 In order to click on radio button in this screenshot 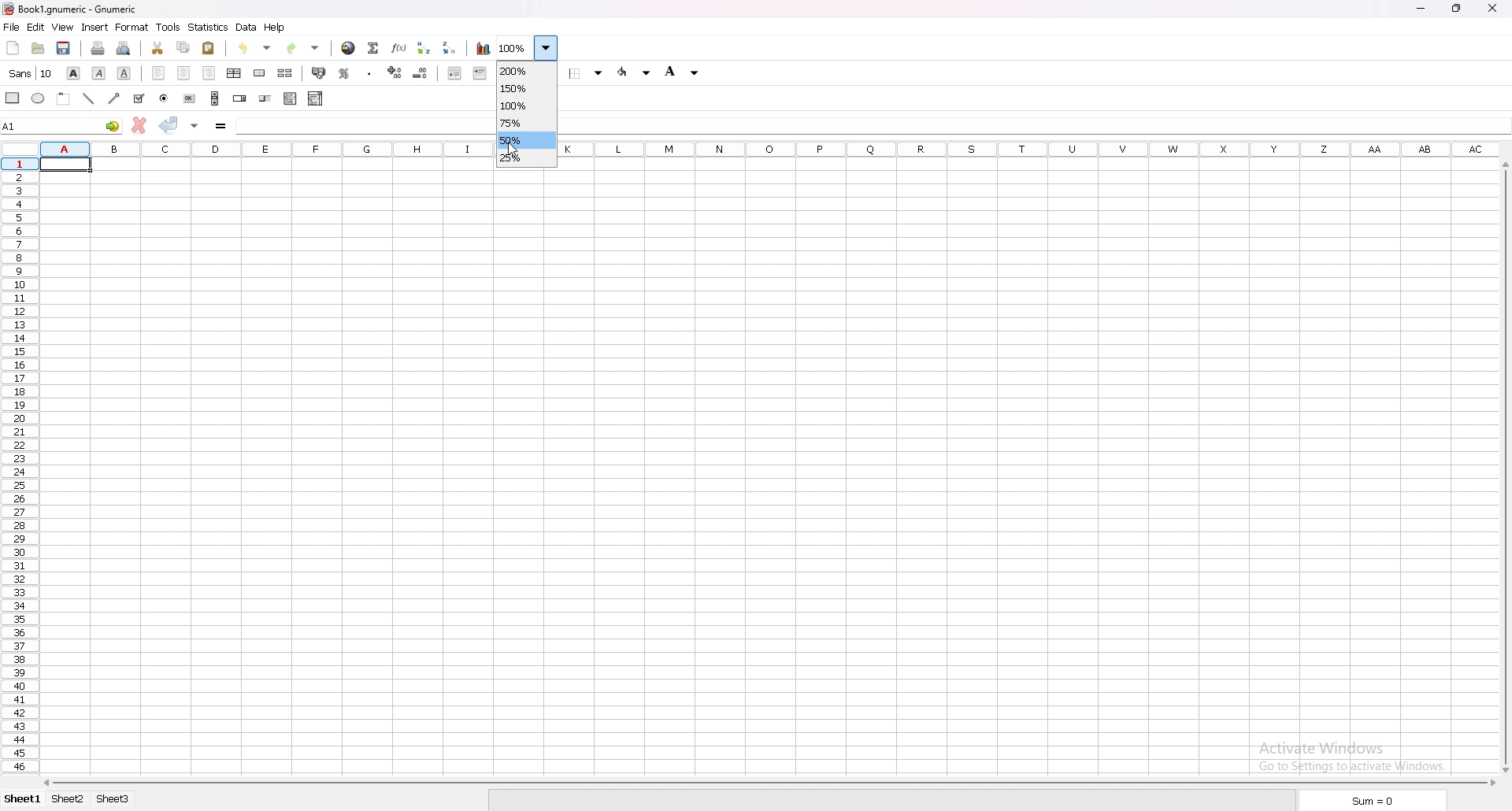, I will do `click(165, 99)`.